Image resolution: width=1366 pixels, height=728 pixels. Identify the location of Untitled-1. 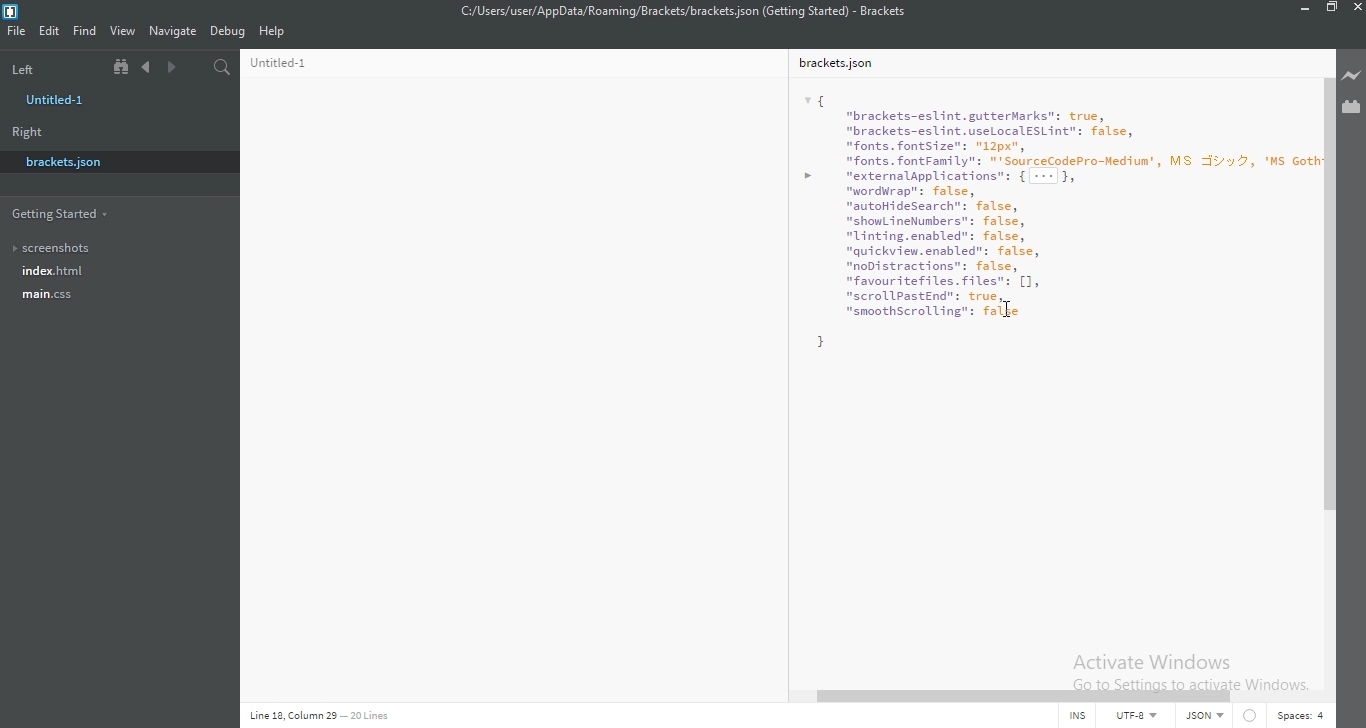
(1054, 366).